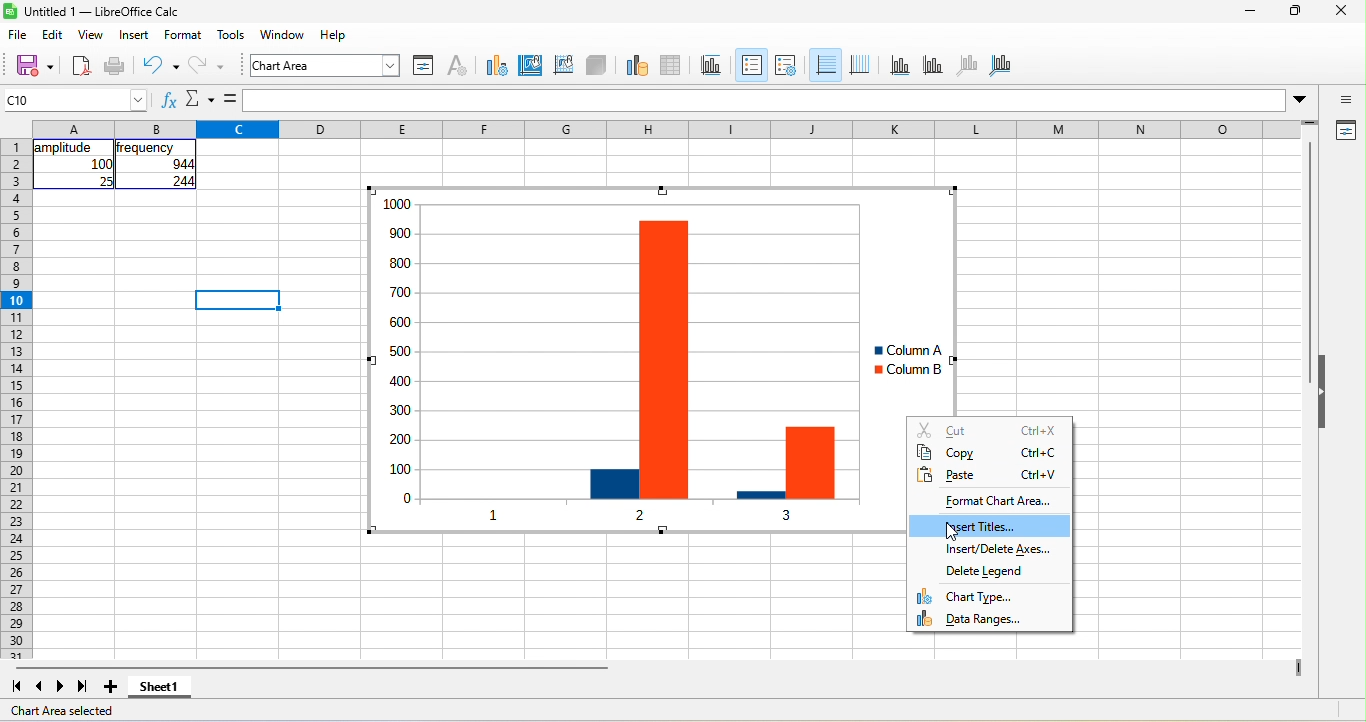 This screenshot has height=722, width=1366. I want to click on amplitude, so click(66, 148).